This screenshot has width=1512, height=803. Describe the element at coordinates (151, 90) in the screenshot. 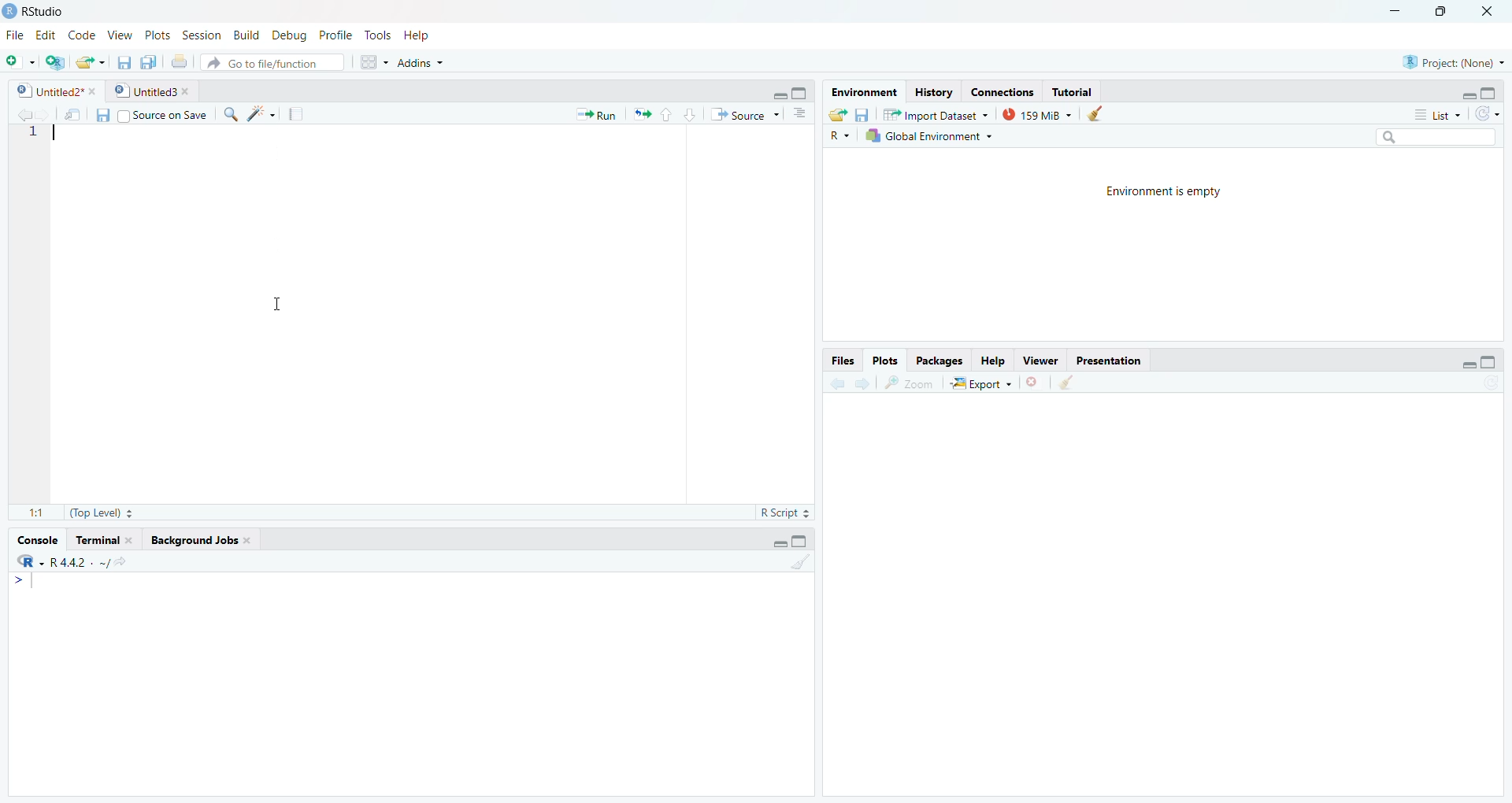

I see `Untitled3` at that location.